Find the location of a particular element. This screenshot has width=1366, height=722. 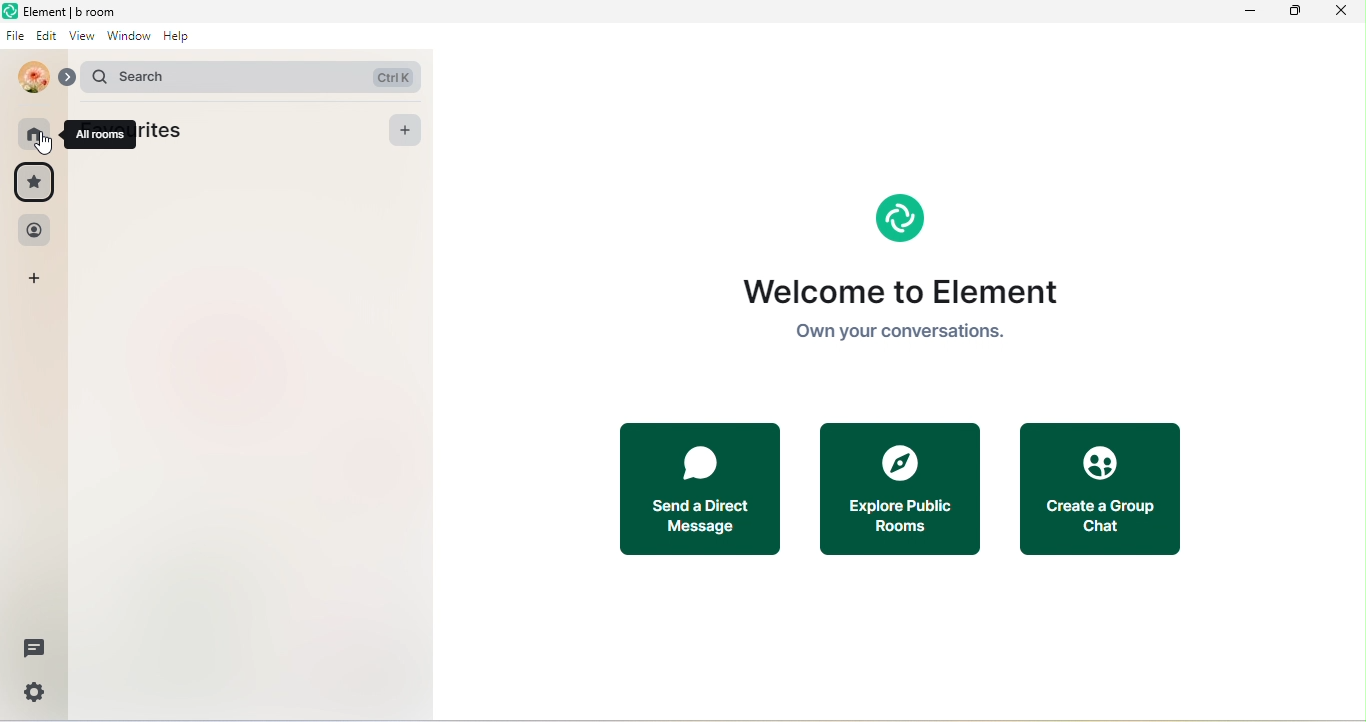

udita mandal is located at coordinates (29, 77).